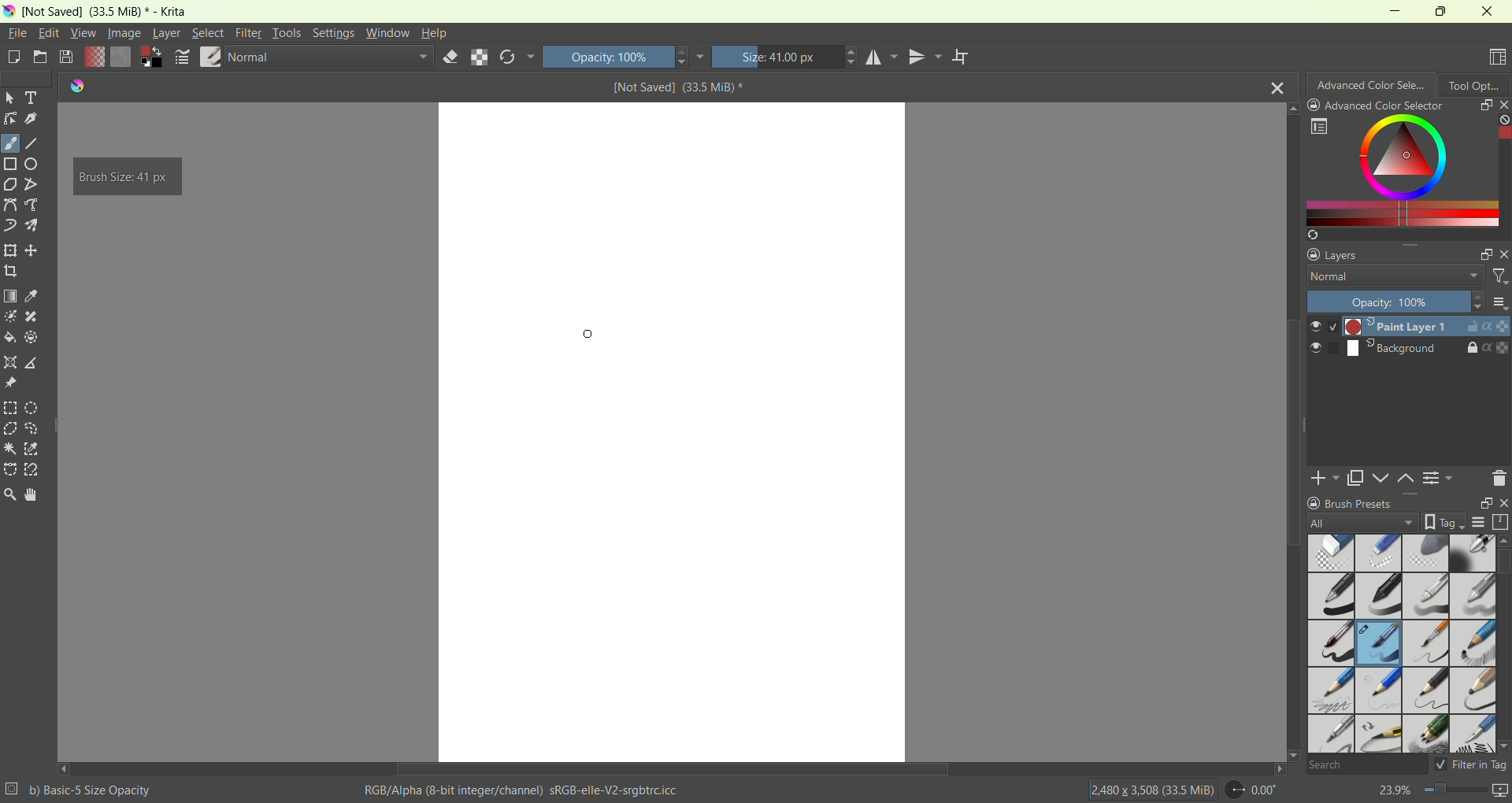 This screenshot has height=803, width=1512. What do you see at coordinates (152, 58) in the screenshot?
I see `foreground/background color sector` at bounding box center [152, 58].